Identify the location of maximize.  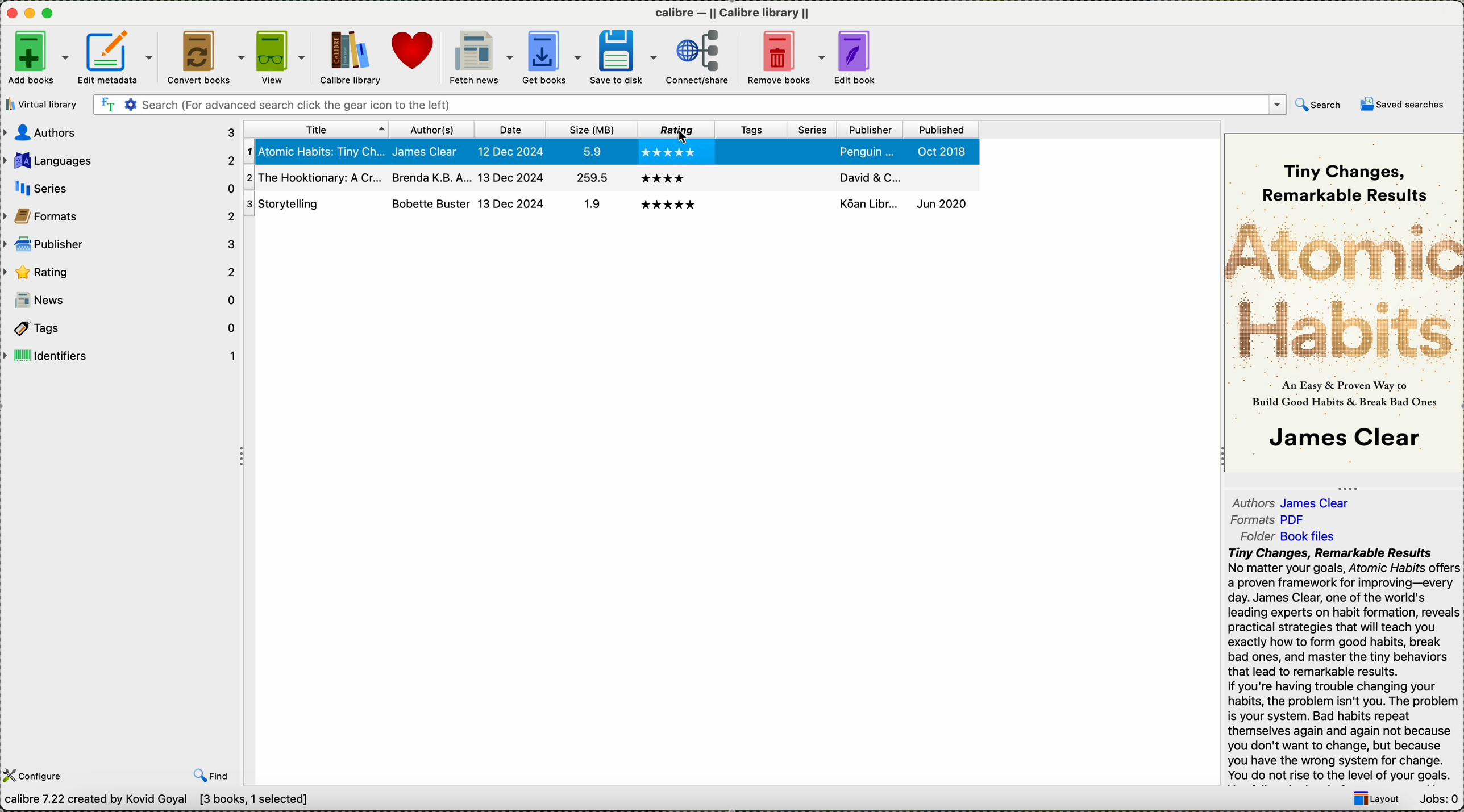
(50, 14).